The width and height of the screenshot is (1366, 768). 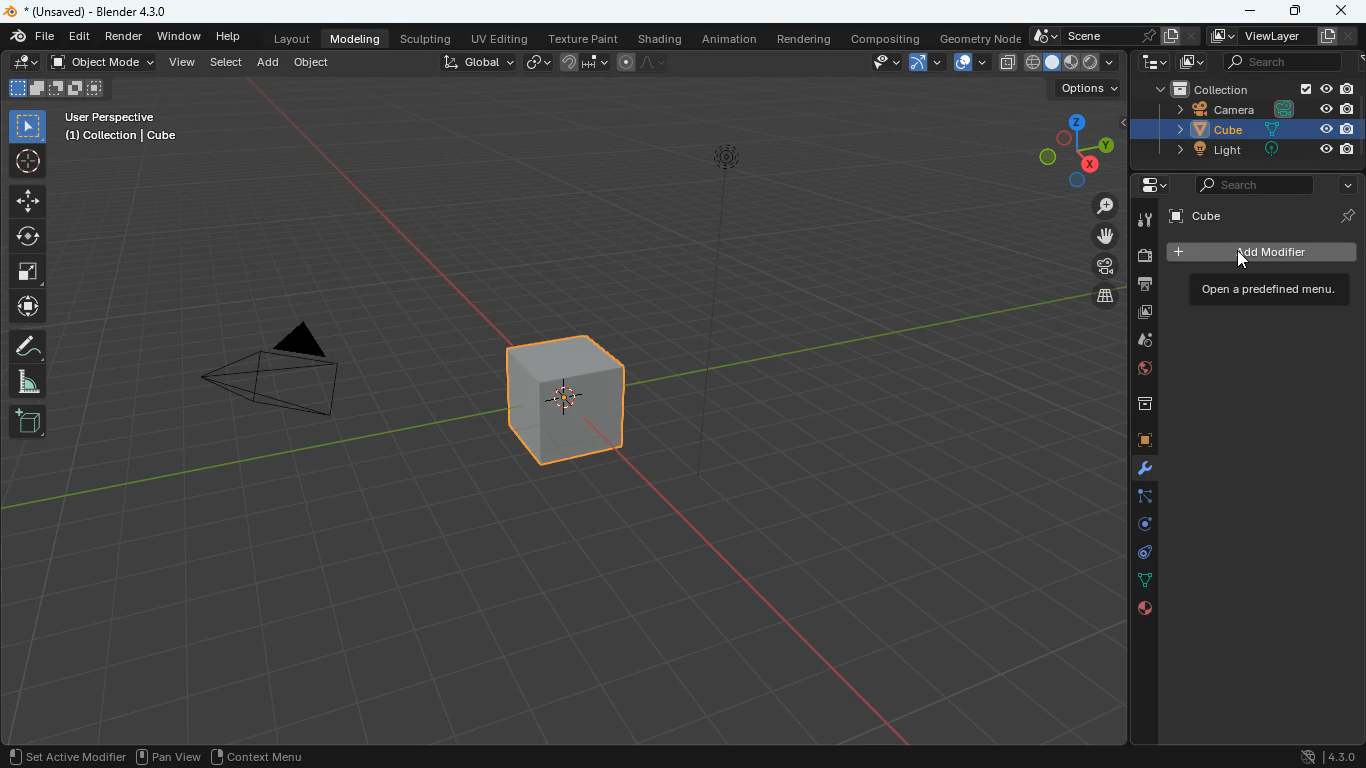 What do you see at coordinates (255, 756) in the screenshot?
I see `view` at bounding box center [255, 756].